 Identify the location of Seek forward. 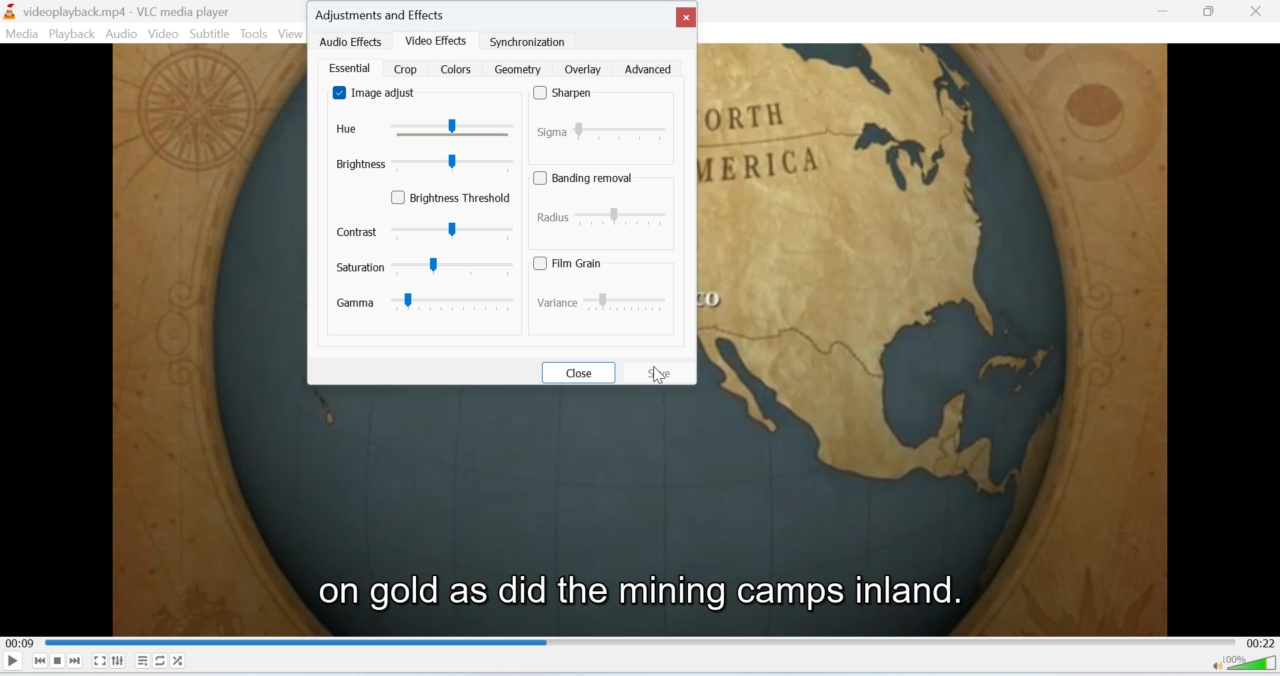
(76, 660).